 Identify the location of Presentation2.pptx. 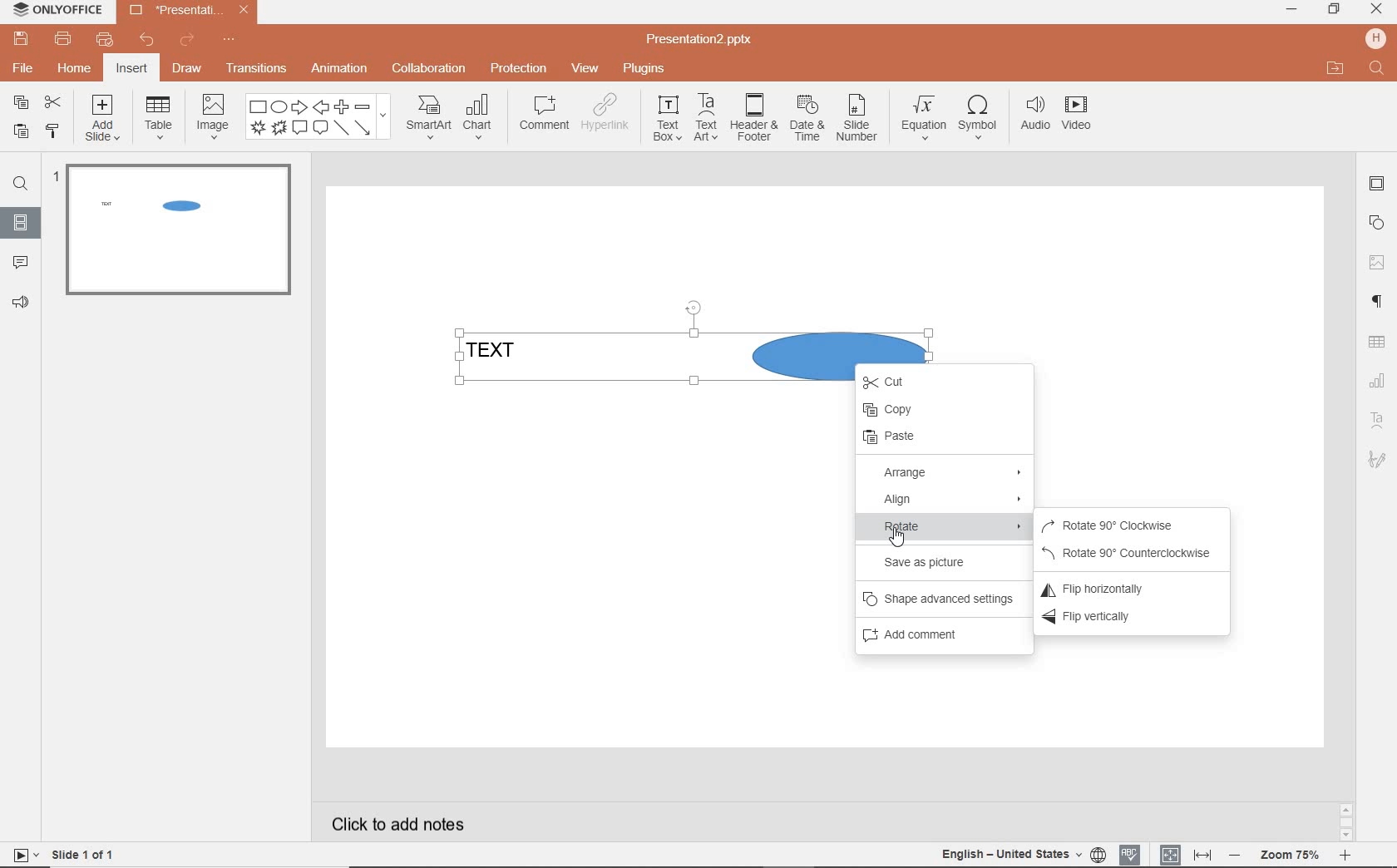
(187, 12).